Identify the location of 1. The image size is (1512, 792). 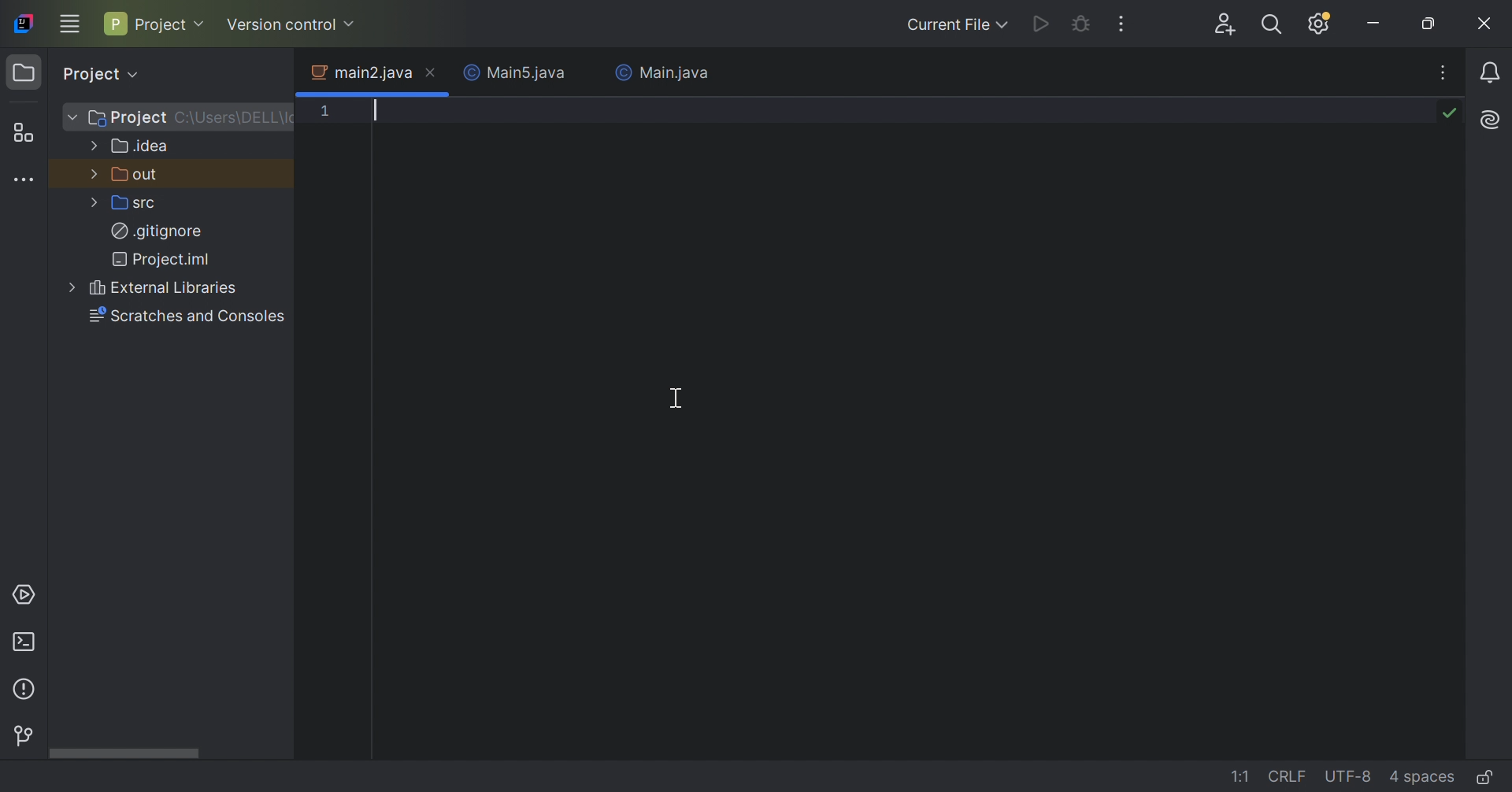
(325, 113).